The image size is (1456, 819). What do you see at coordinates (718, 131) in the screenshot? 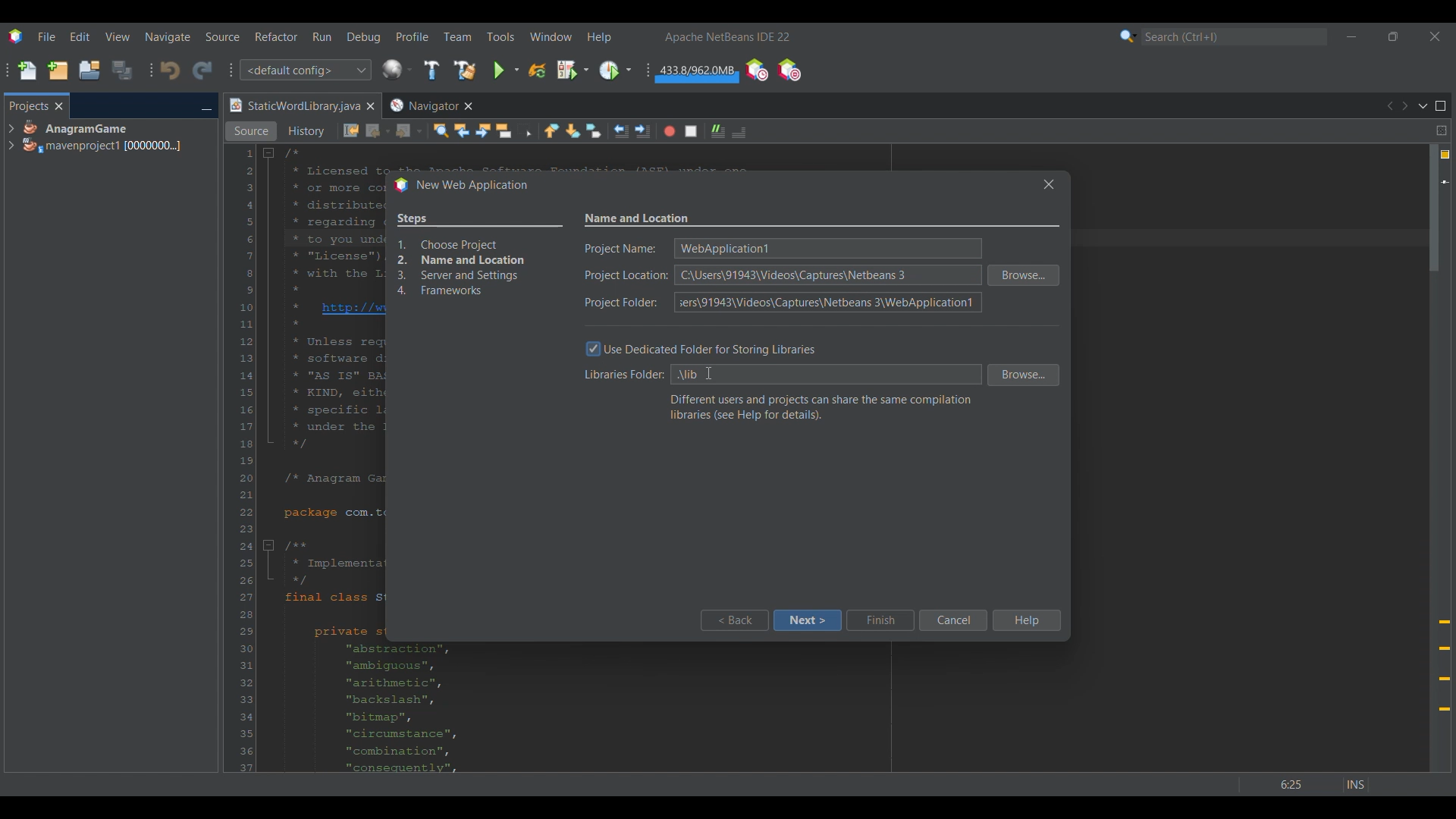
I see `Uncomment` at bounding box center [718, 131].